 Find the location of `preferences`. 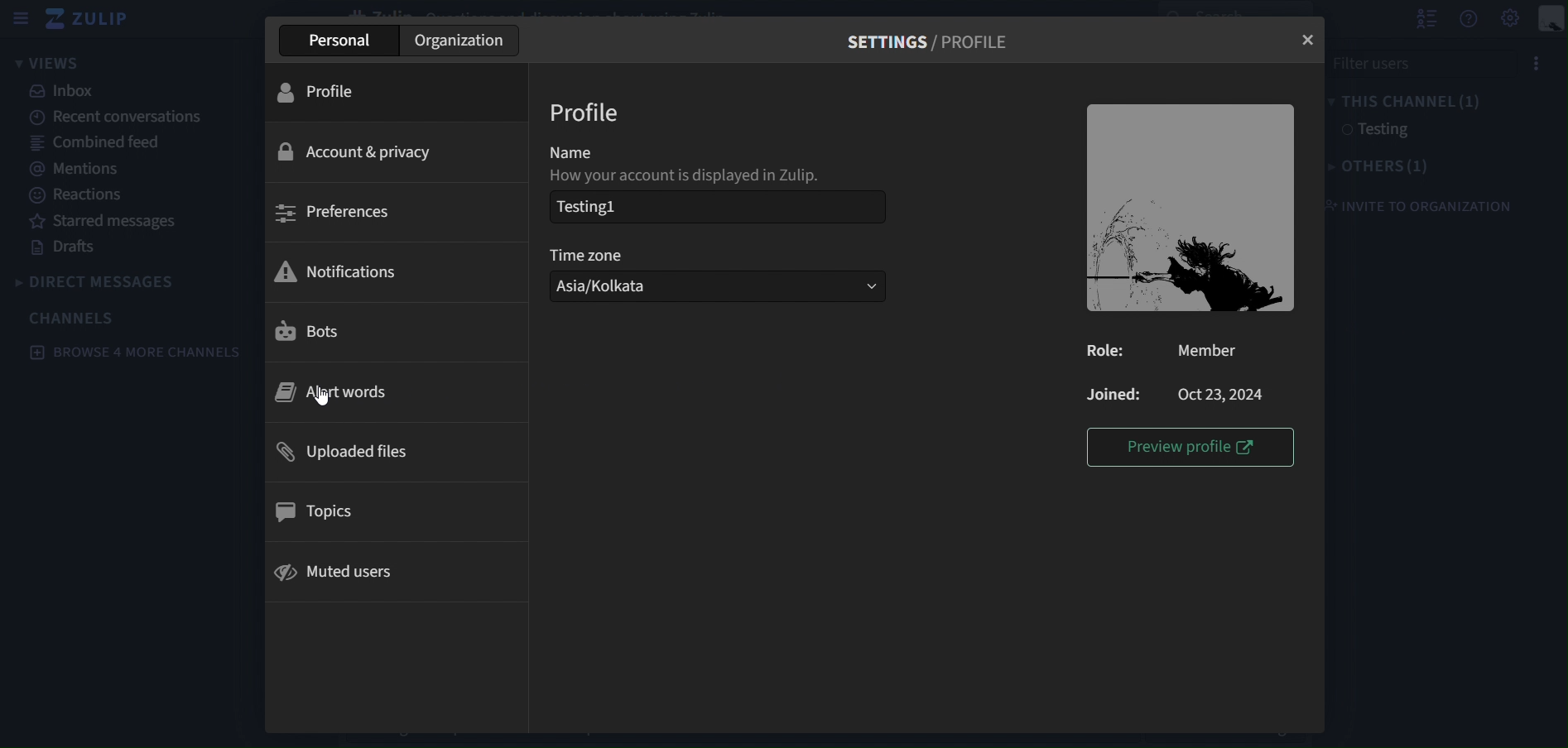

preferences is located at coordinates (335, 212).